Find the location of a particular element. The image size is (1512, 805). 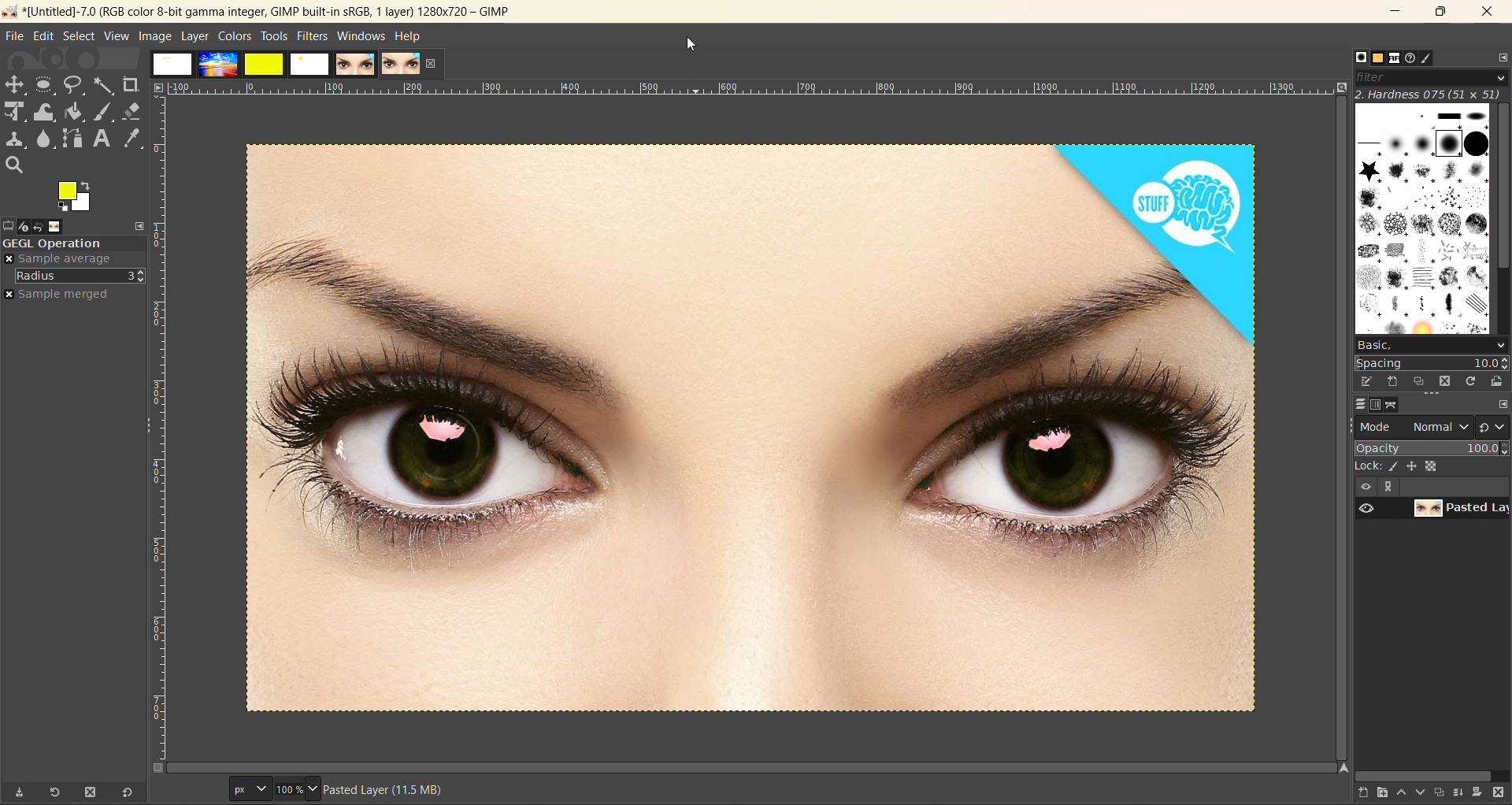

search is located at coordinates (13, 165).